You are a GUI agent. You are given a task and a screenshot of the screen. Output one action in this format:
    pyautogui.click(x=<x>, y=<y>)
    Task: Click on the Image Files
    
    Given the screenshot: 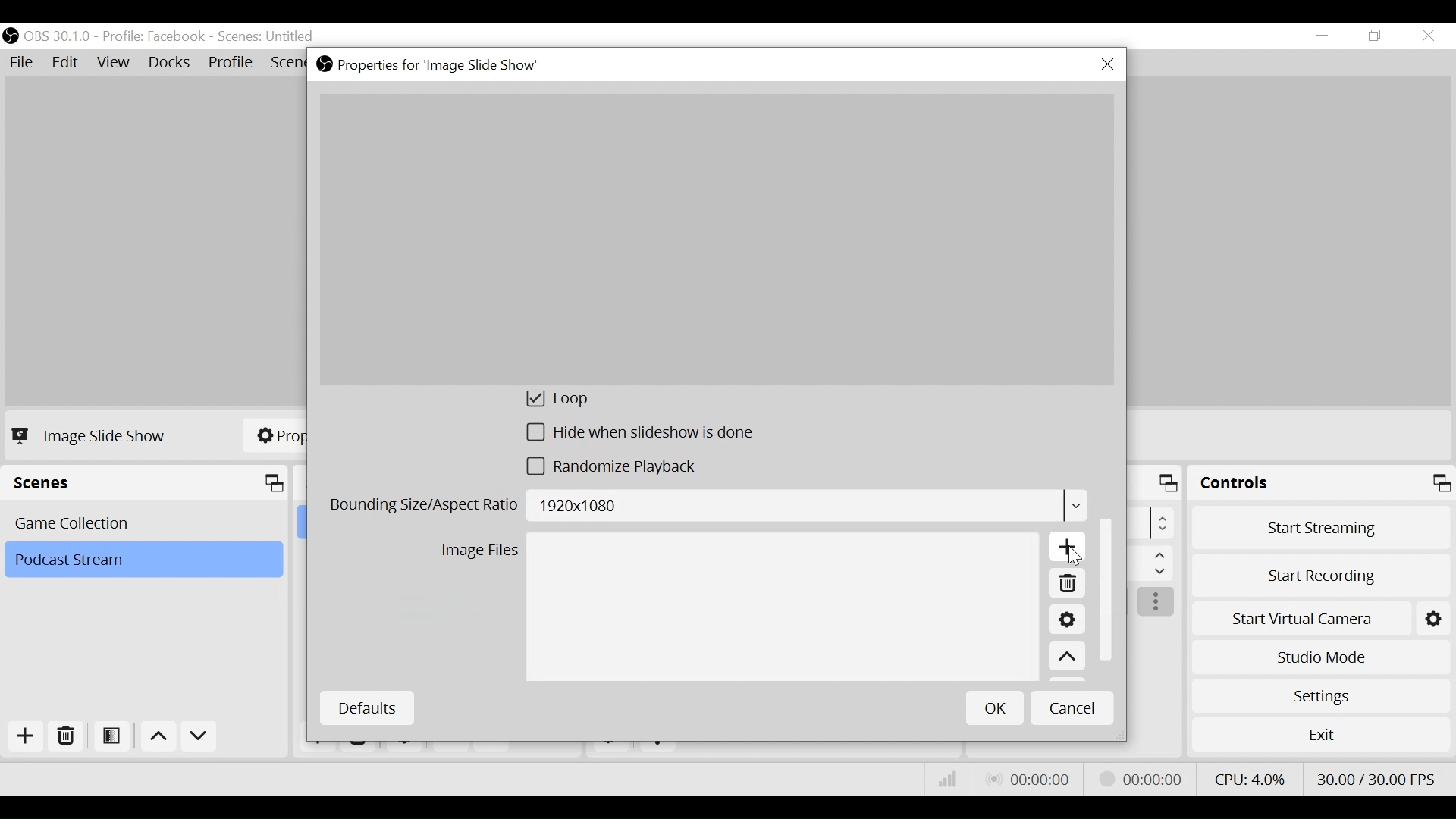 What is the action you would take?
    pyautogui.click(x=479, y=553)
    